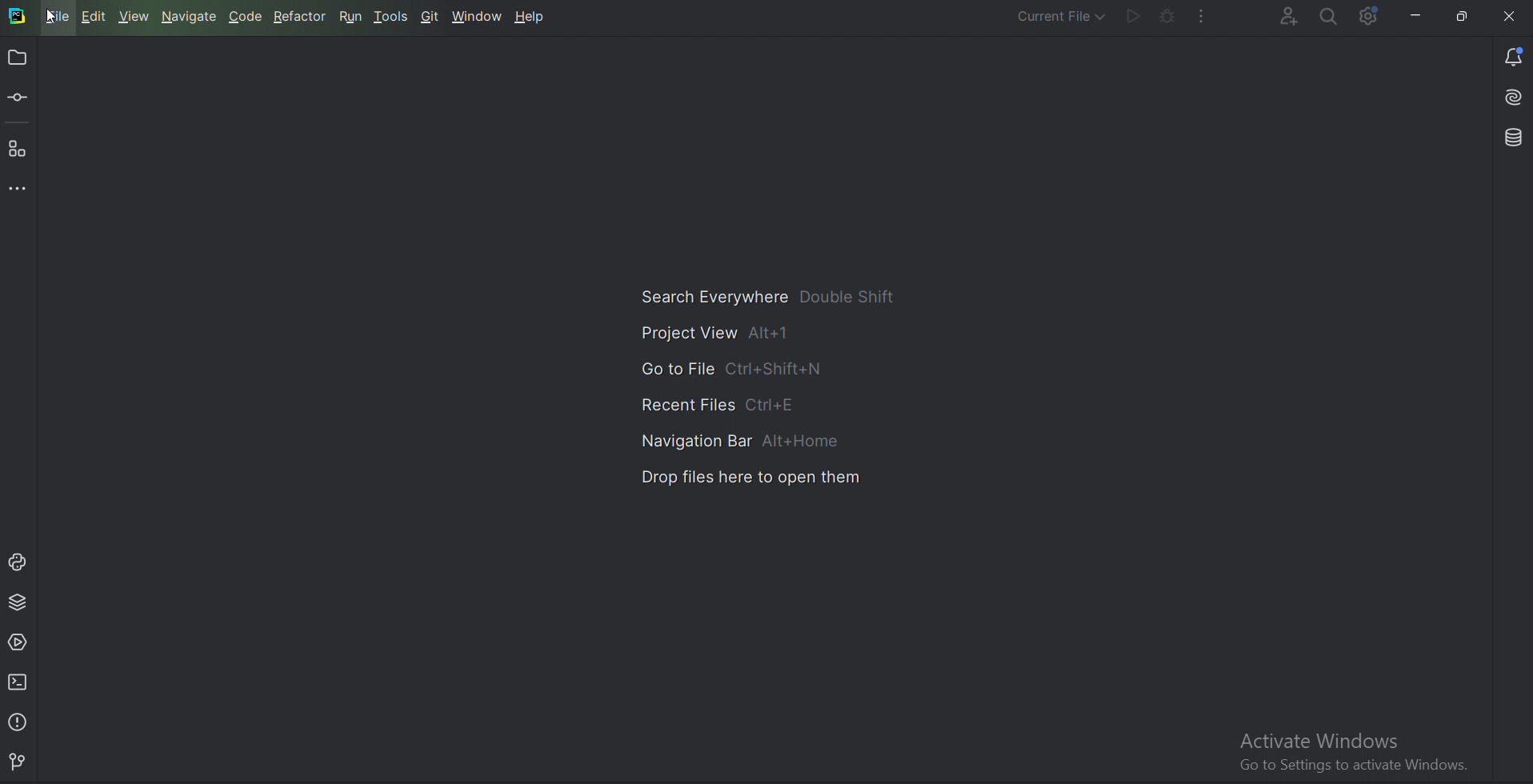  I want to click on Search Everywhere Double Shift, so click(772, 296).